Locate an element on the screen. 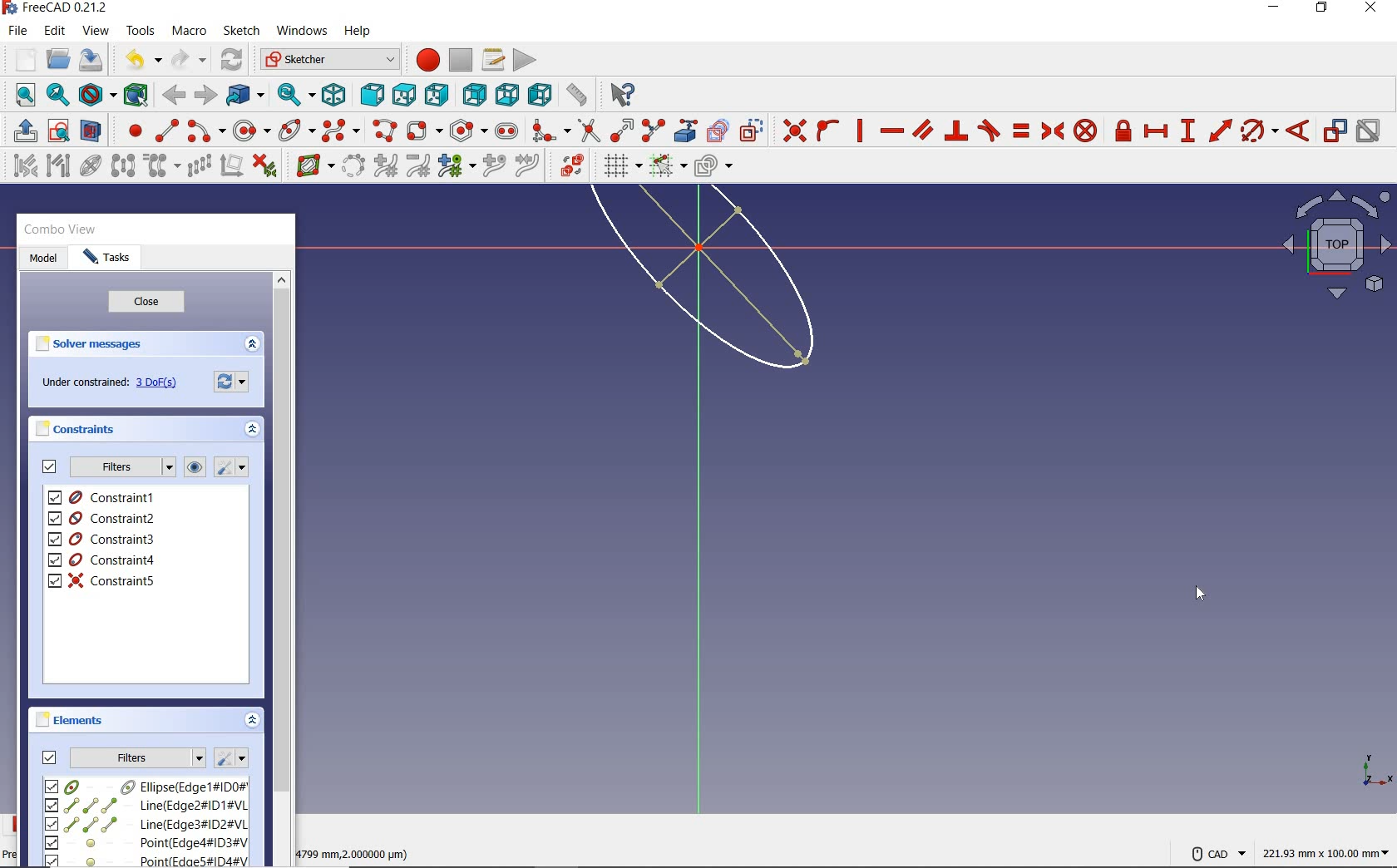  select associated geometry is located at coordinates (58, 167).